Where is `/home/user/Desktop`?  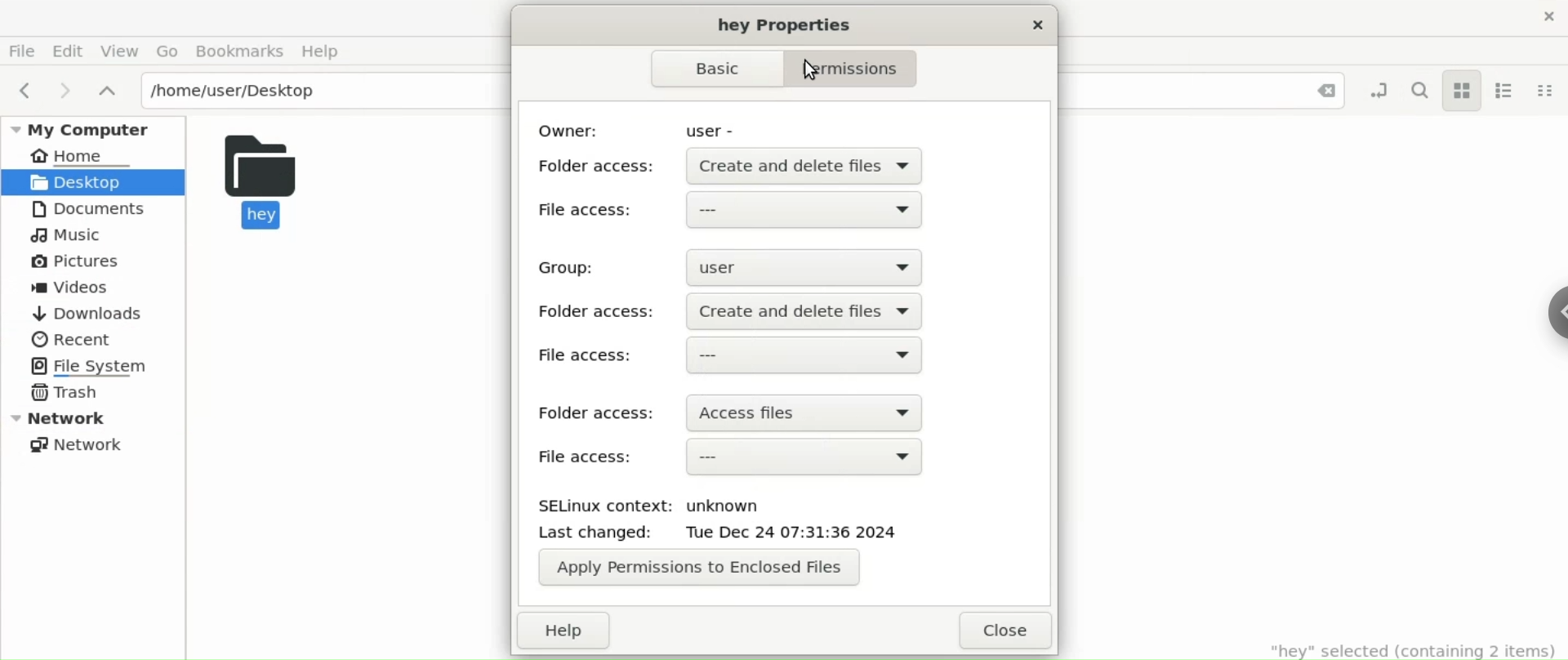
/home/user/Desktop is located at coordinates (318, 90).